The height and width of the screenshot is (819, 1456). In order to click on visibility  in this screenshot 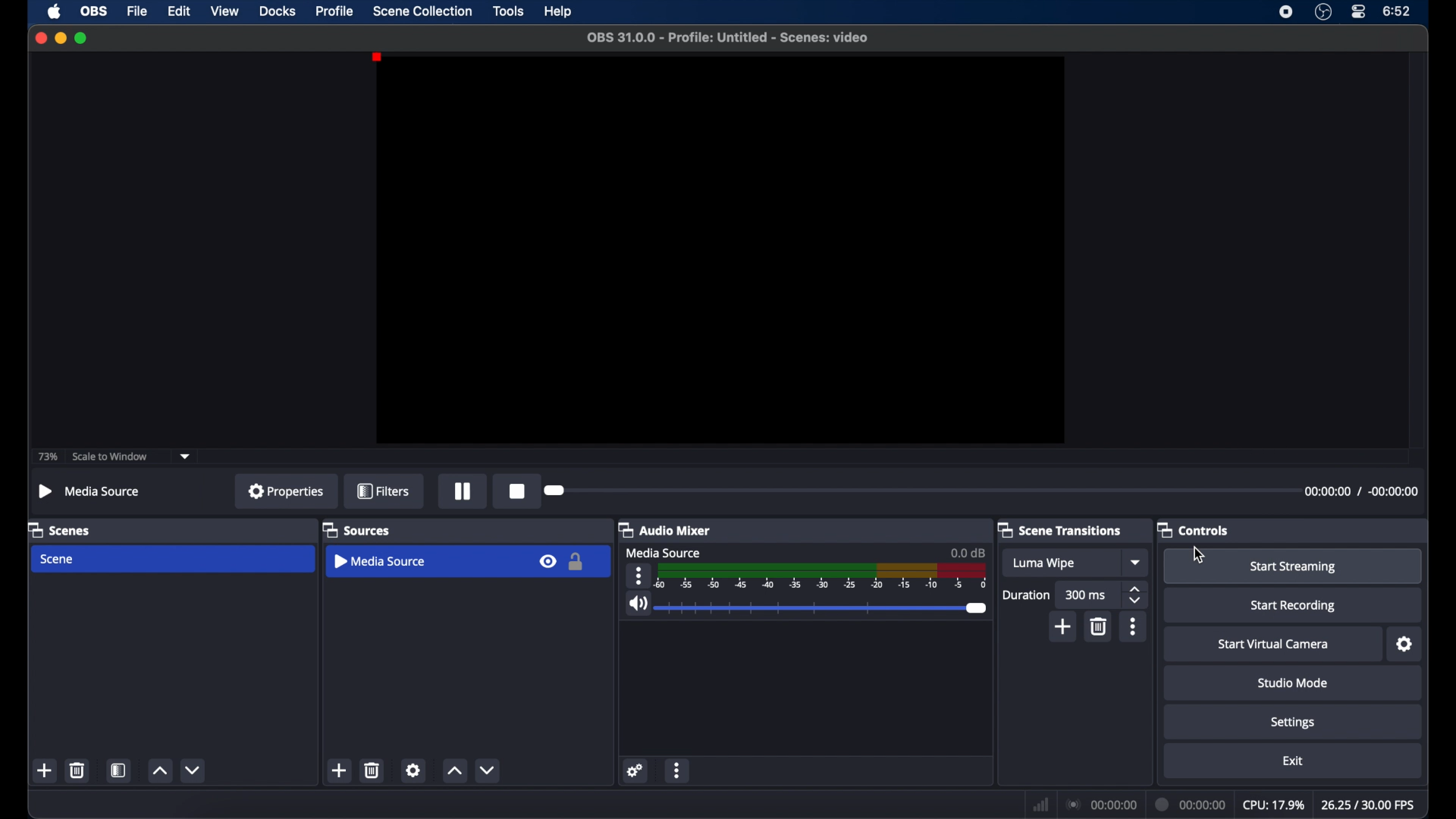, I will do `click(550, 562)`.